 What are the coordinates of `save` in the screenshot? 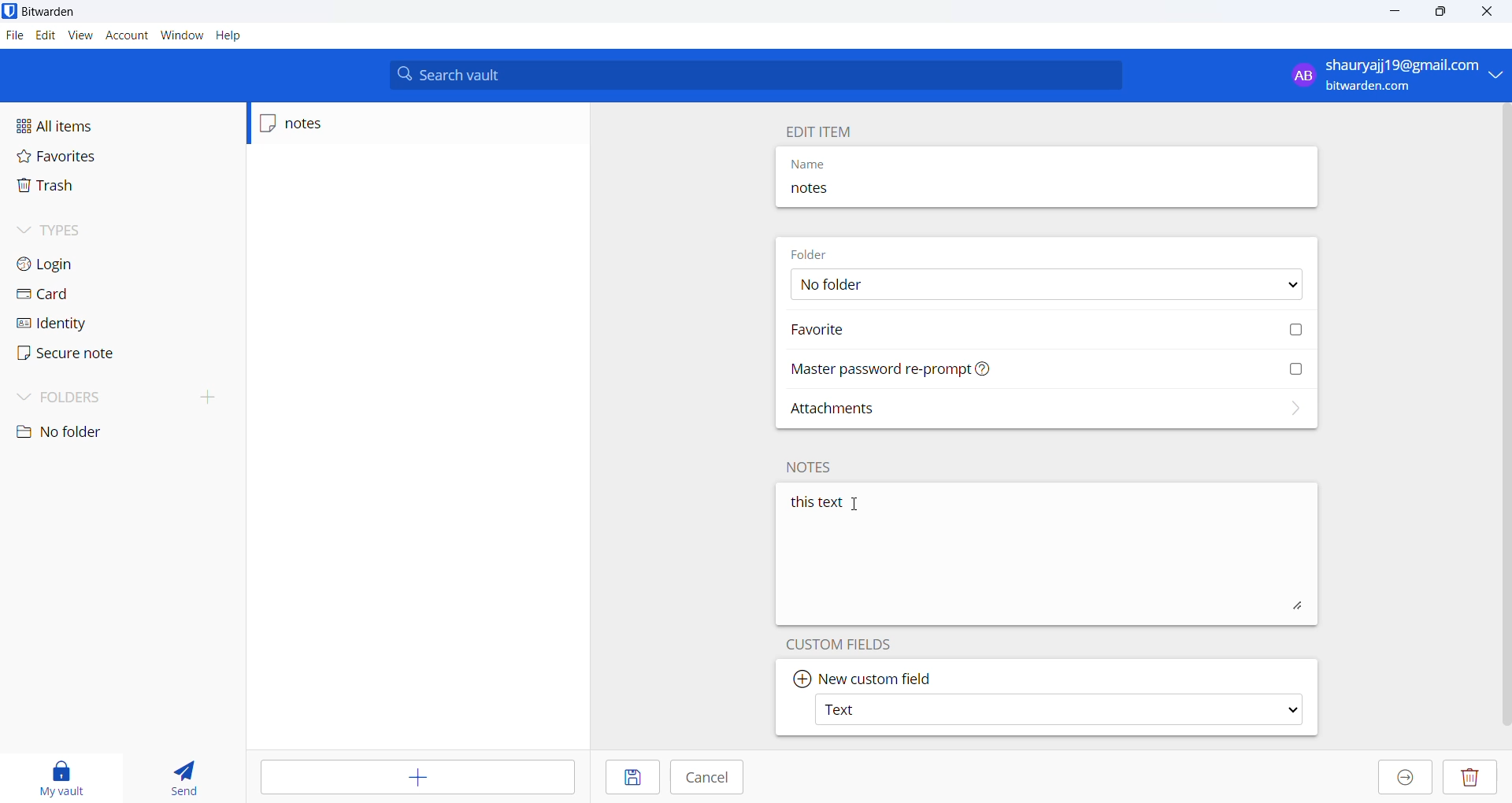 It's located at (631, 777).